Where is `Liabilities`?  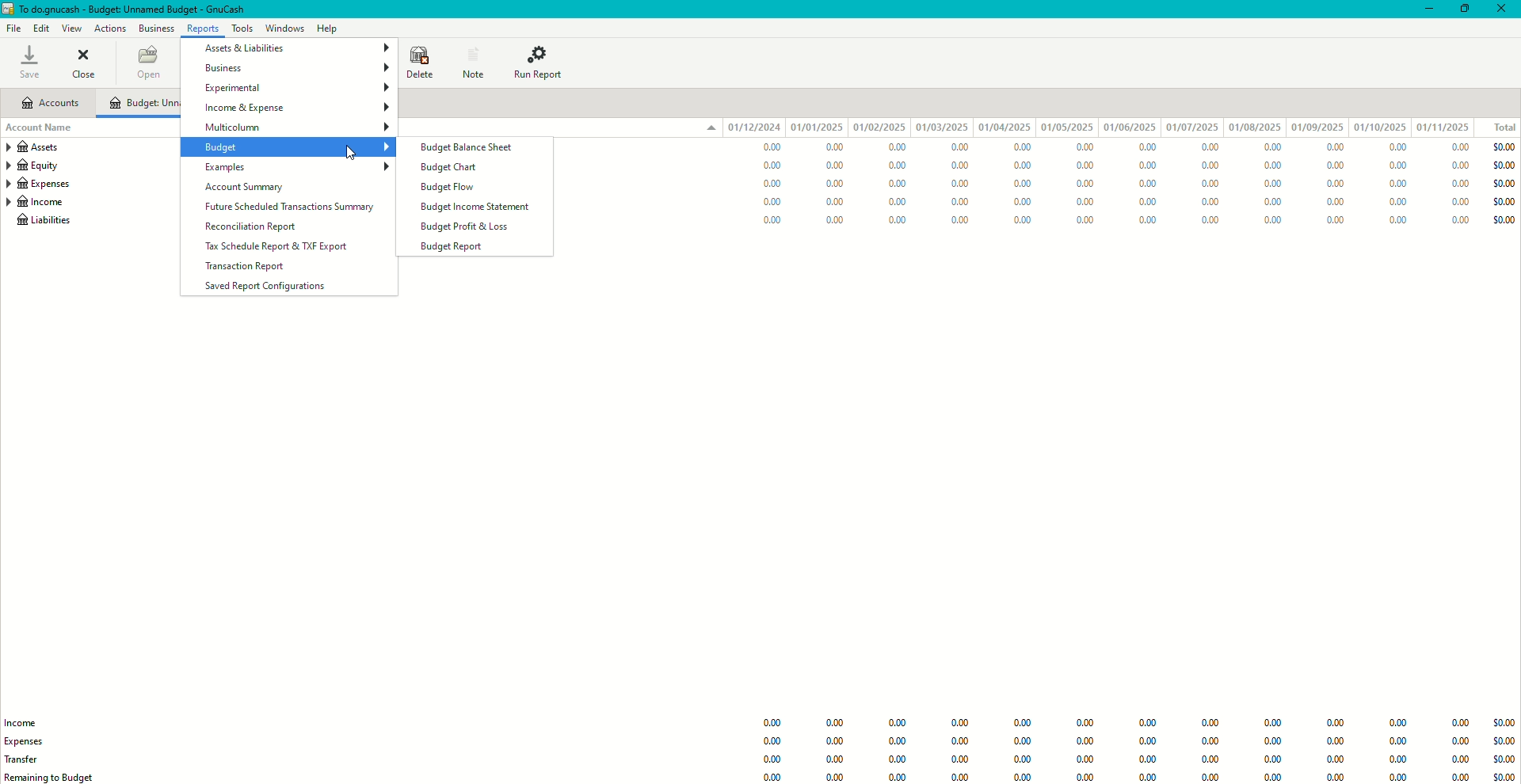
Liabilities is located at coordinates (43, 223).